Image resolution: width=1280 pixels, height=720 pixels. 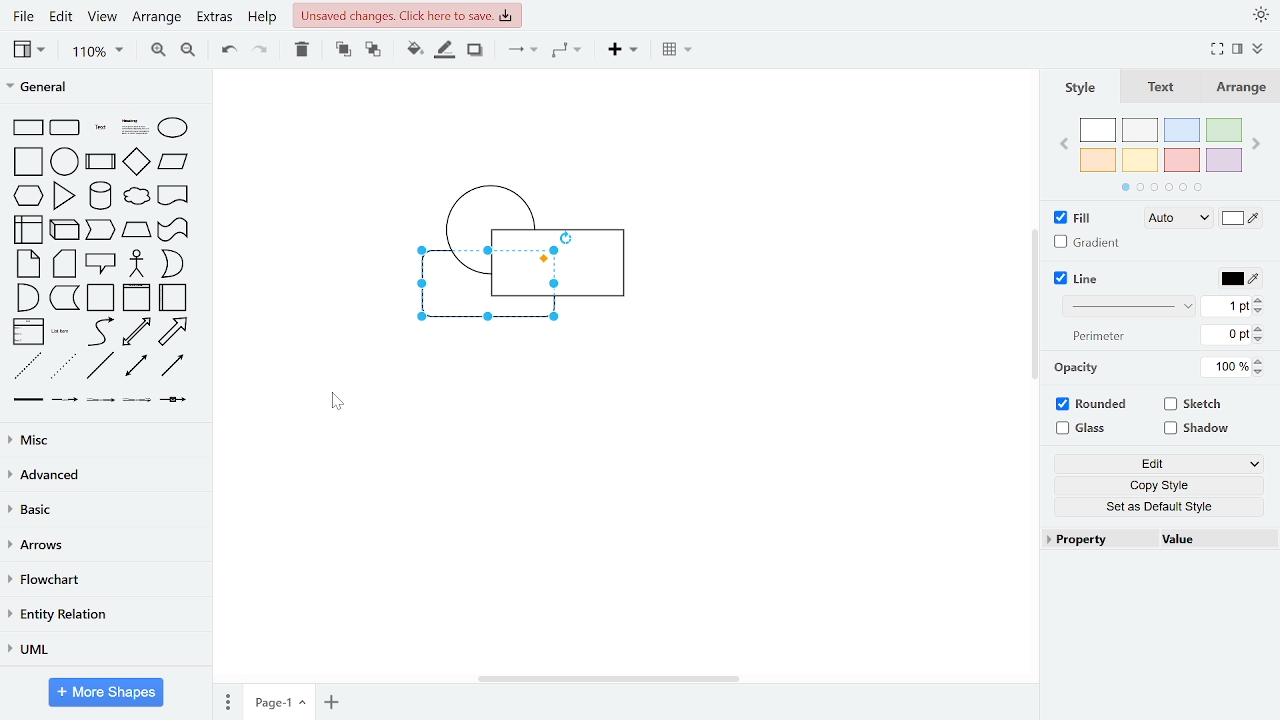 I want to click on UML, so click(x=106, y=648).